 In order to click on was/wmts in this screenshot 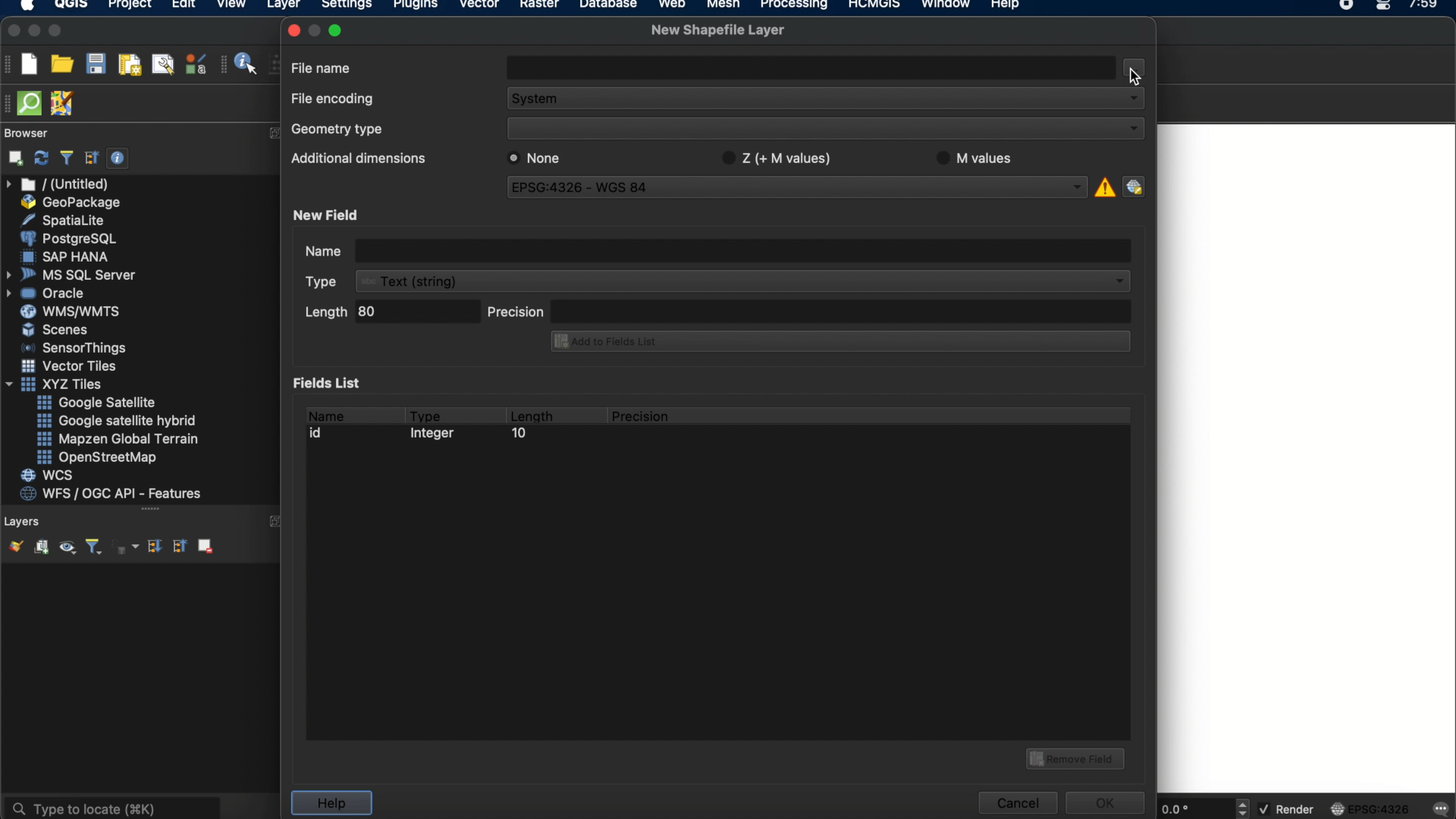, I will do `click(72, 312)`.